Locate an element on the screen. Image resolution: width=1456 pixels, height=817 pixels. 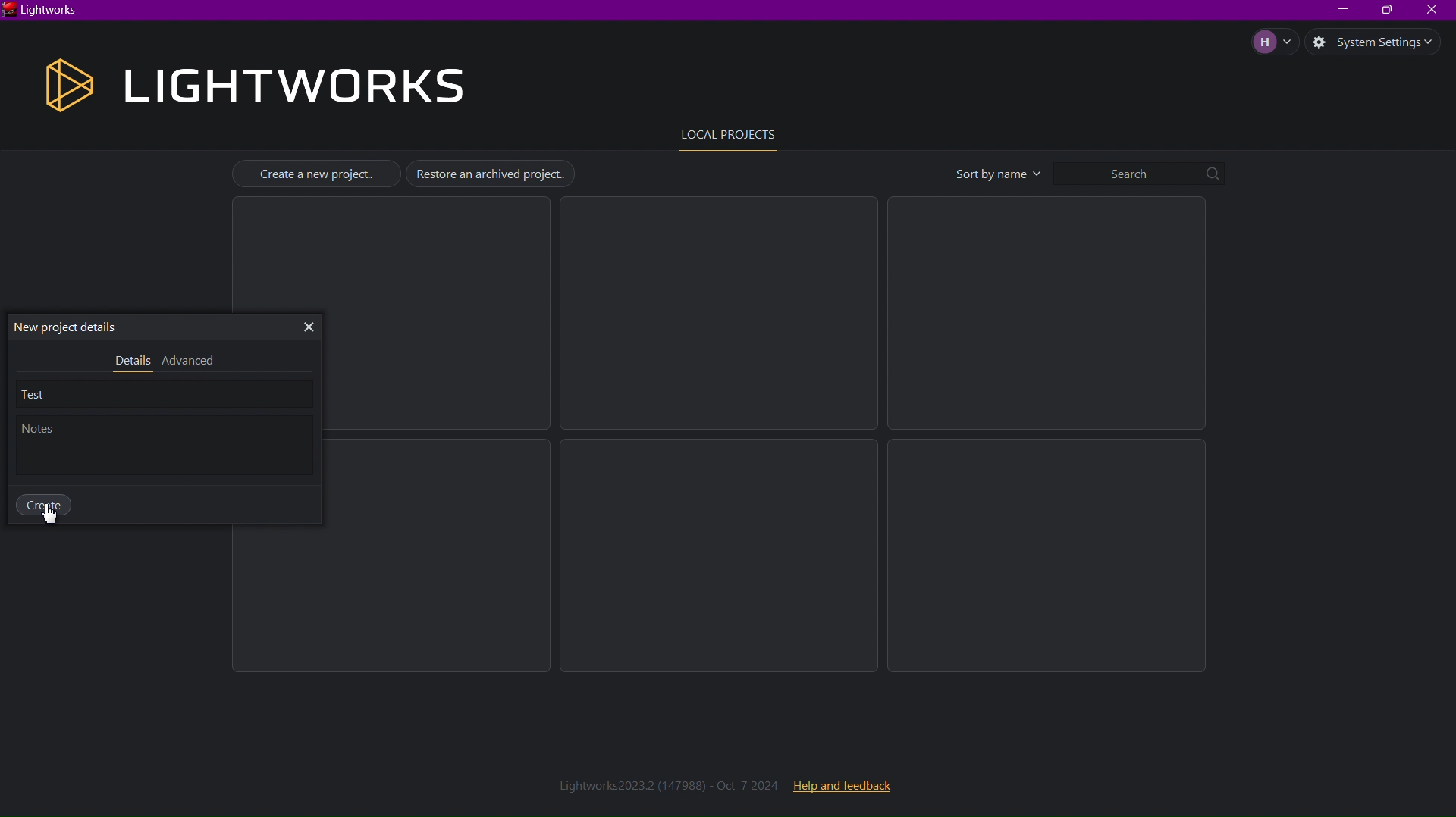
Empty Project is located at coordinates (1047, 315).